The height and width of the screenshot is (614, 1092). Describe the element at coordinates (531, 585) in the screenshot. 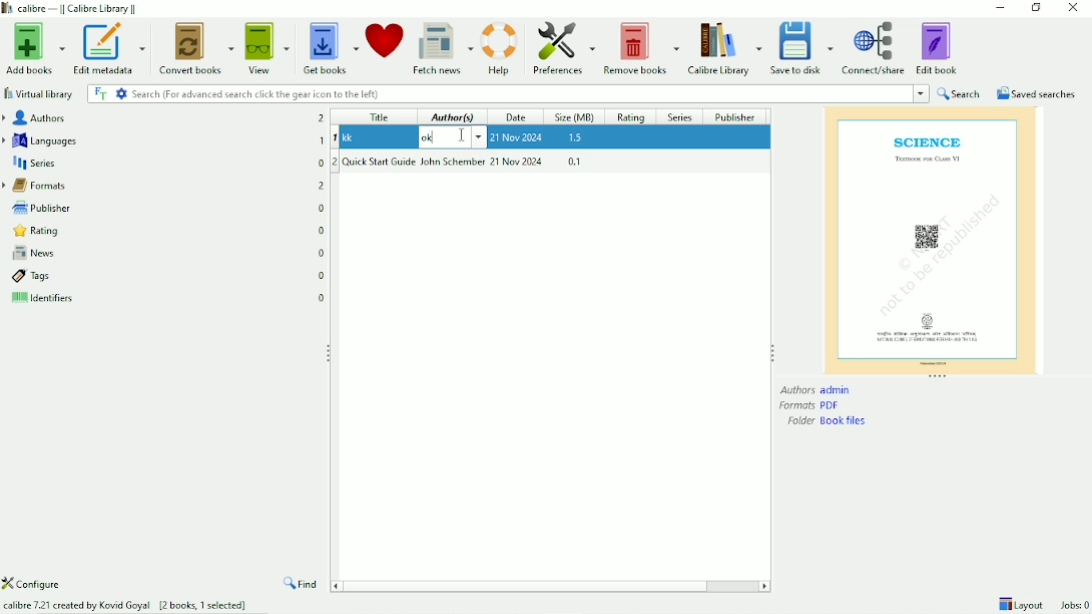

I see `Horizontal scrollbar` at that location.